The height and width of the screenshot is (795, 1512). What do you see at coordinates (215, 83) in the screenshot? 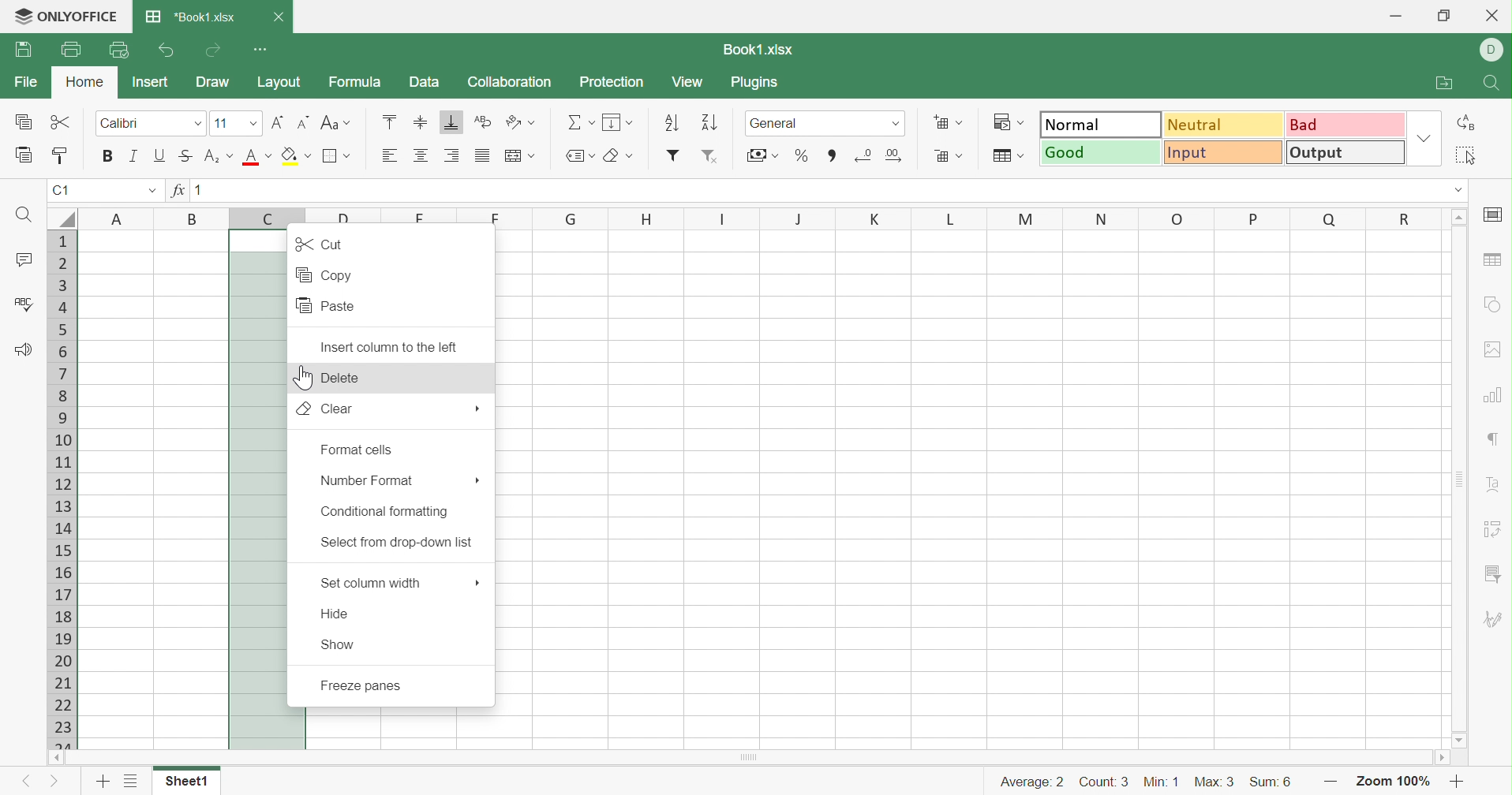
I see `Draw` at bounding box center [215, 83].